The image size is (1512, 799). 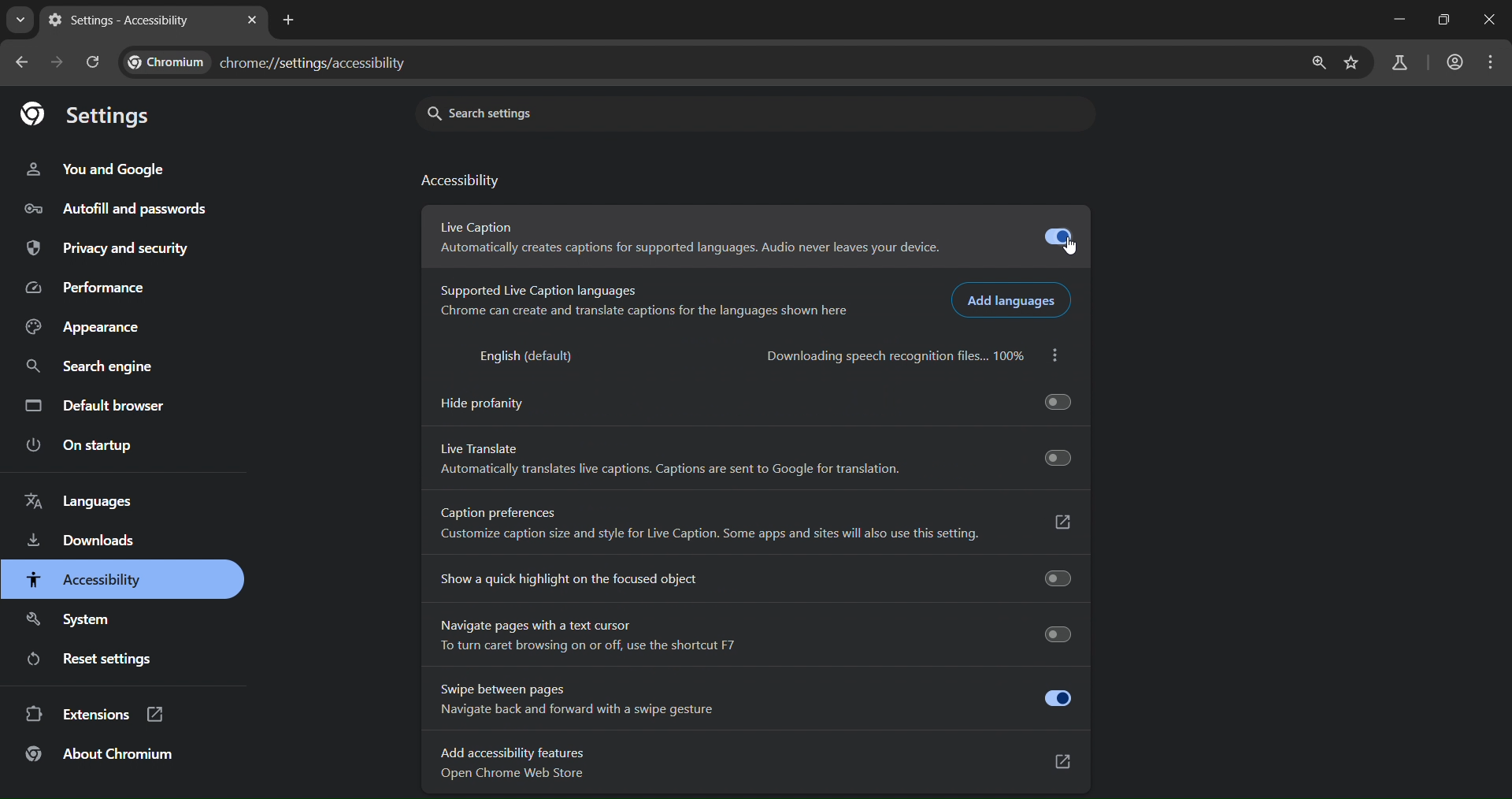 I want to click on privacy and security, so click(x=106, y=249).